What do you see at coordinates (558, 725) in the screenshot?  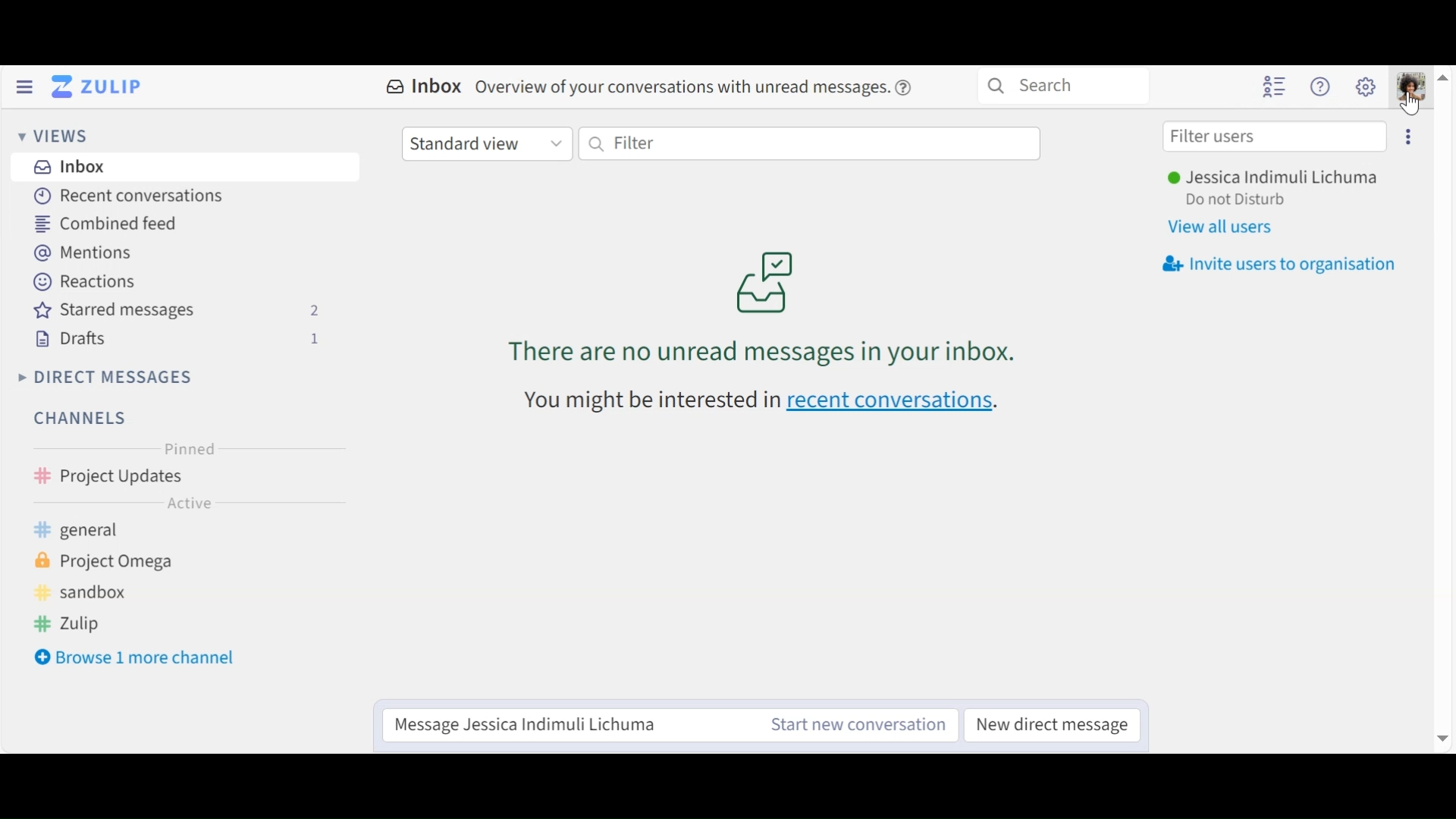 I see `Compose message` at bounding box center [558, 725].